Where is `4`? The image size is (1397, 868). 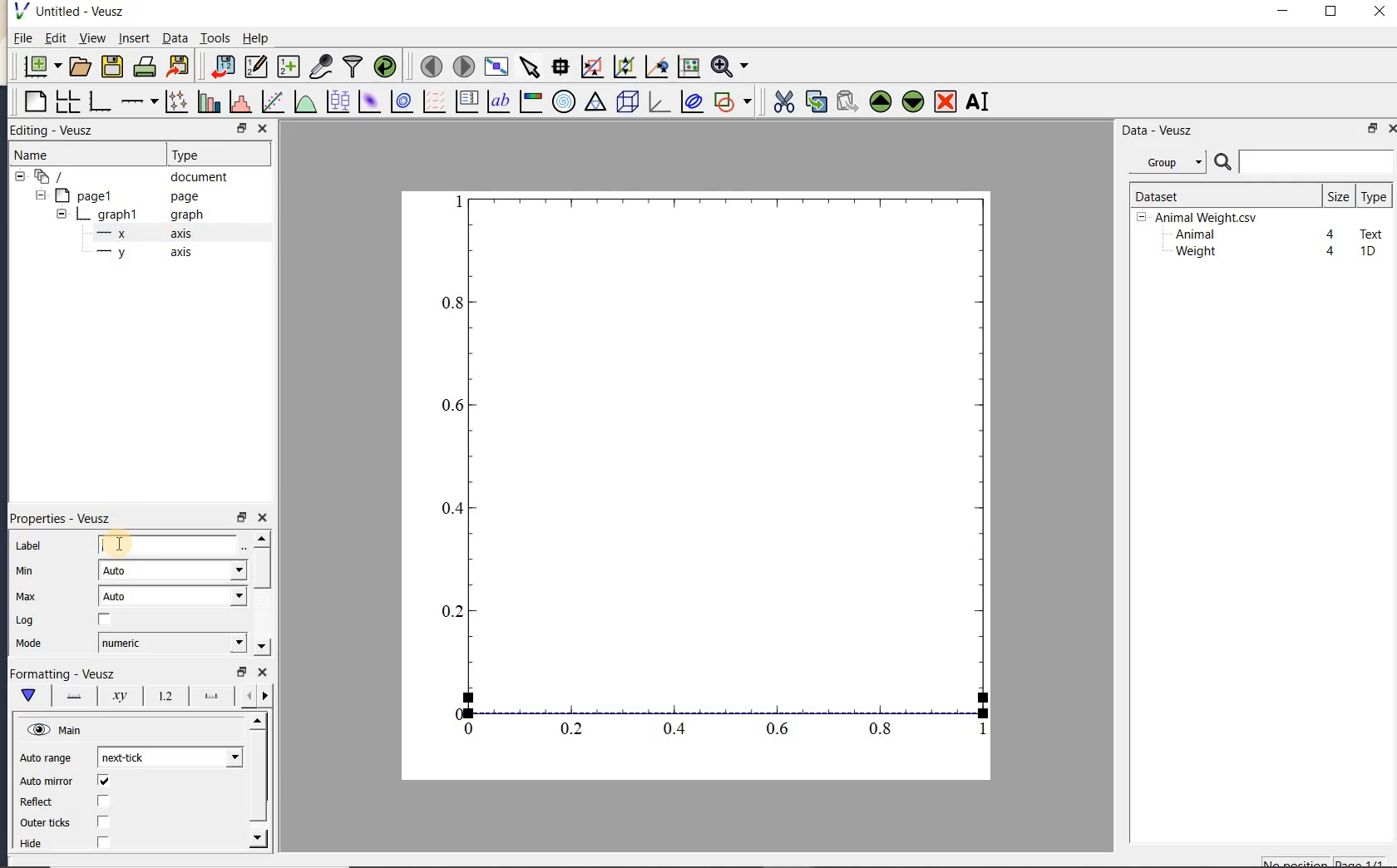
4 is located at coordinates (1331, 235).